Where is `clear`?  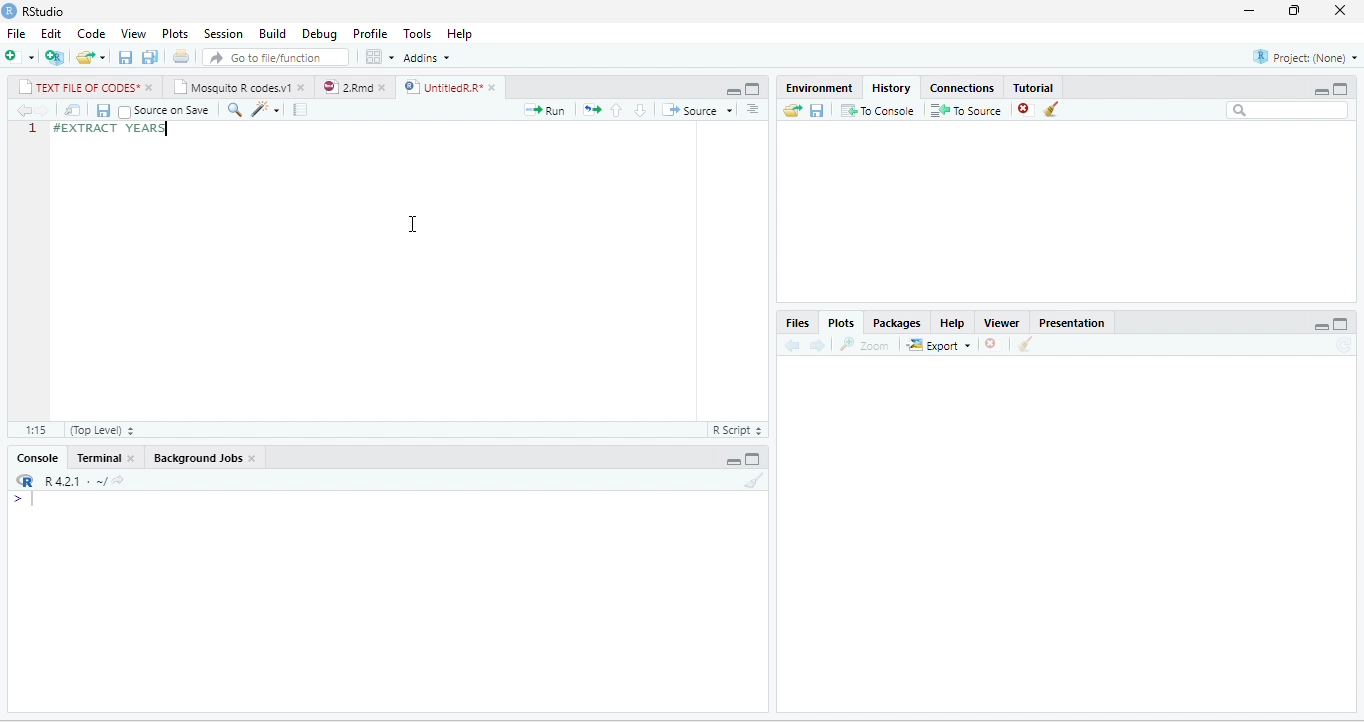
clear is located at coordinates (755, 480).